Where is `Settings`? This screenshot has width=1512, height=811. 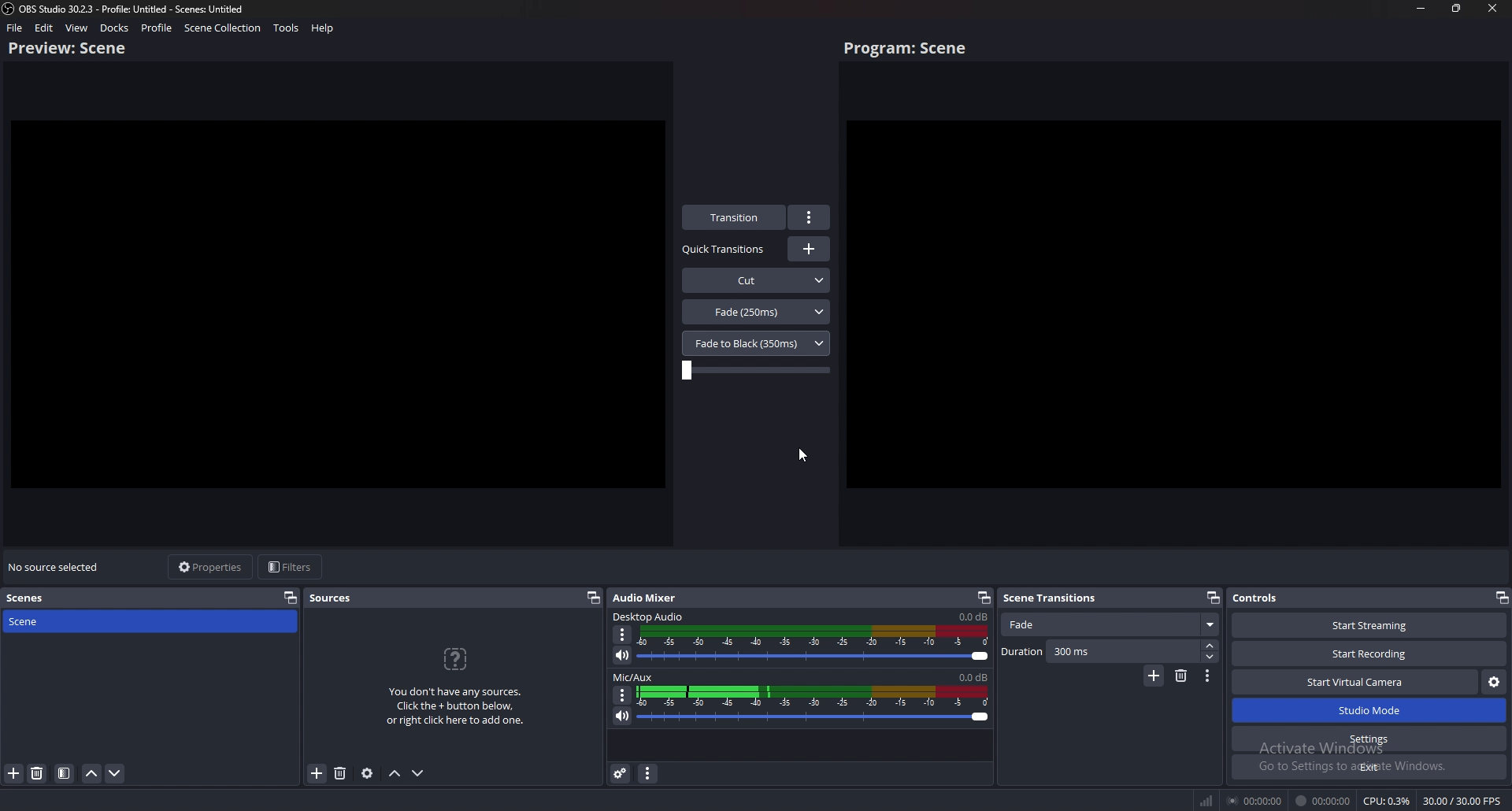 Settings is located at coordinates (1370, 739).